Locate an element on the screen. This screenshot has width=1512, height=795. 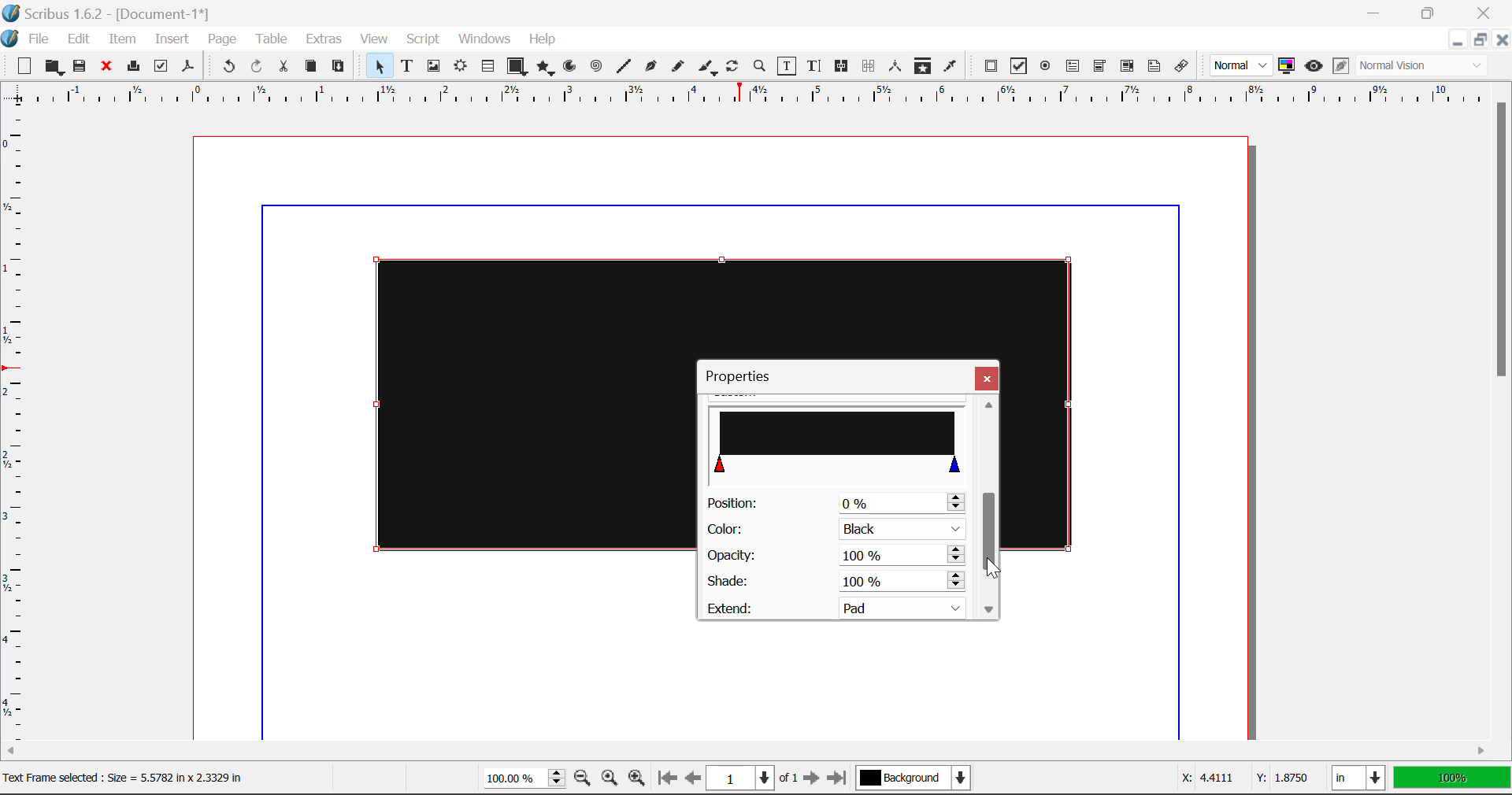
Undo is located at coordinates (228, 68).